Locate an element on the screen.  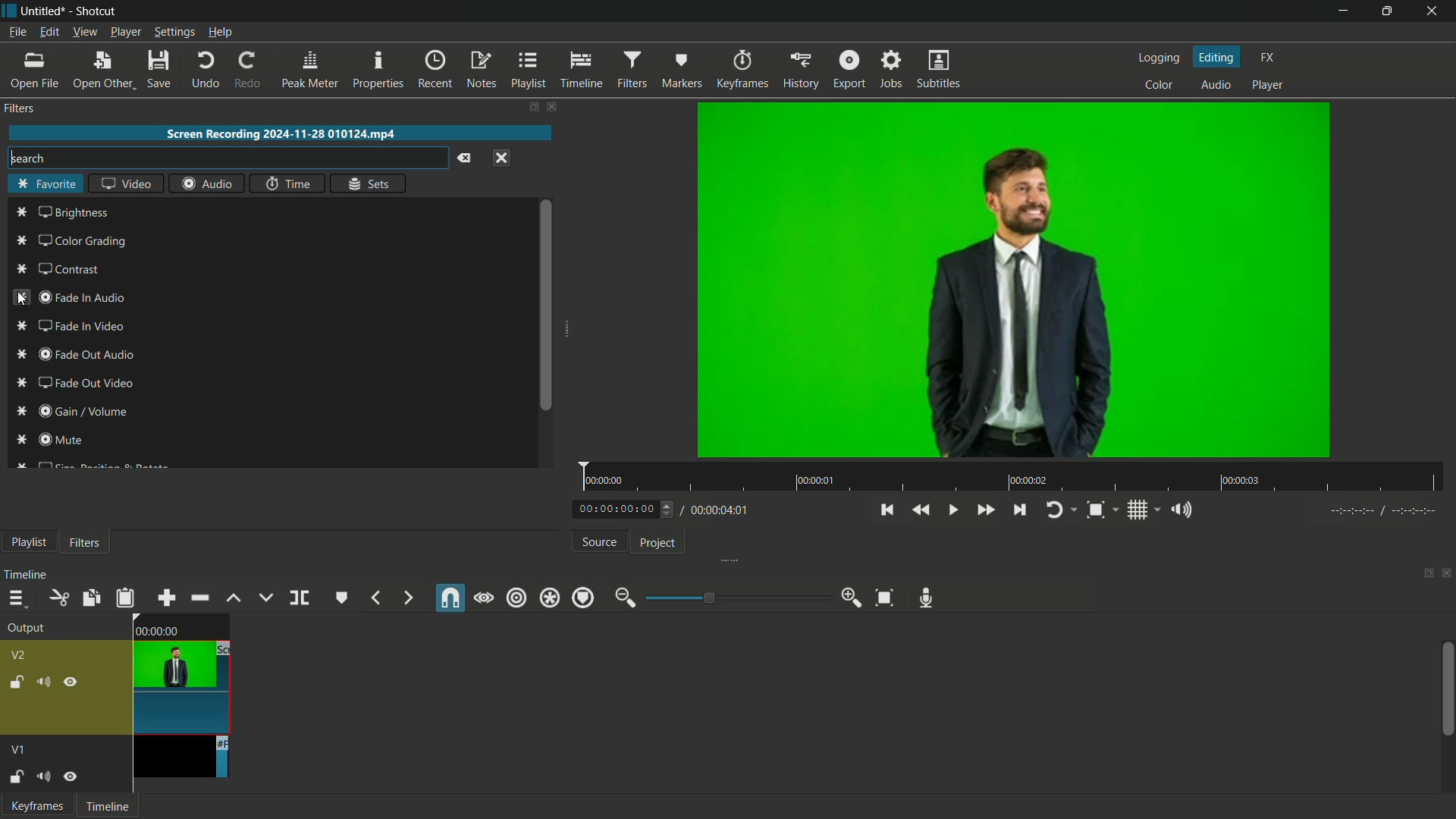
player is located at coordinates (1267, 86).